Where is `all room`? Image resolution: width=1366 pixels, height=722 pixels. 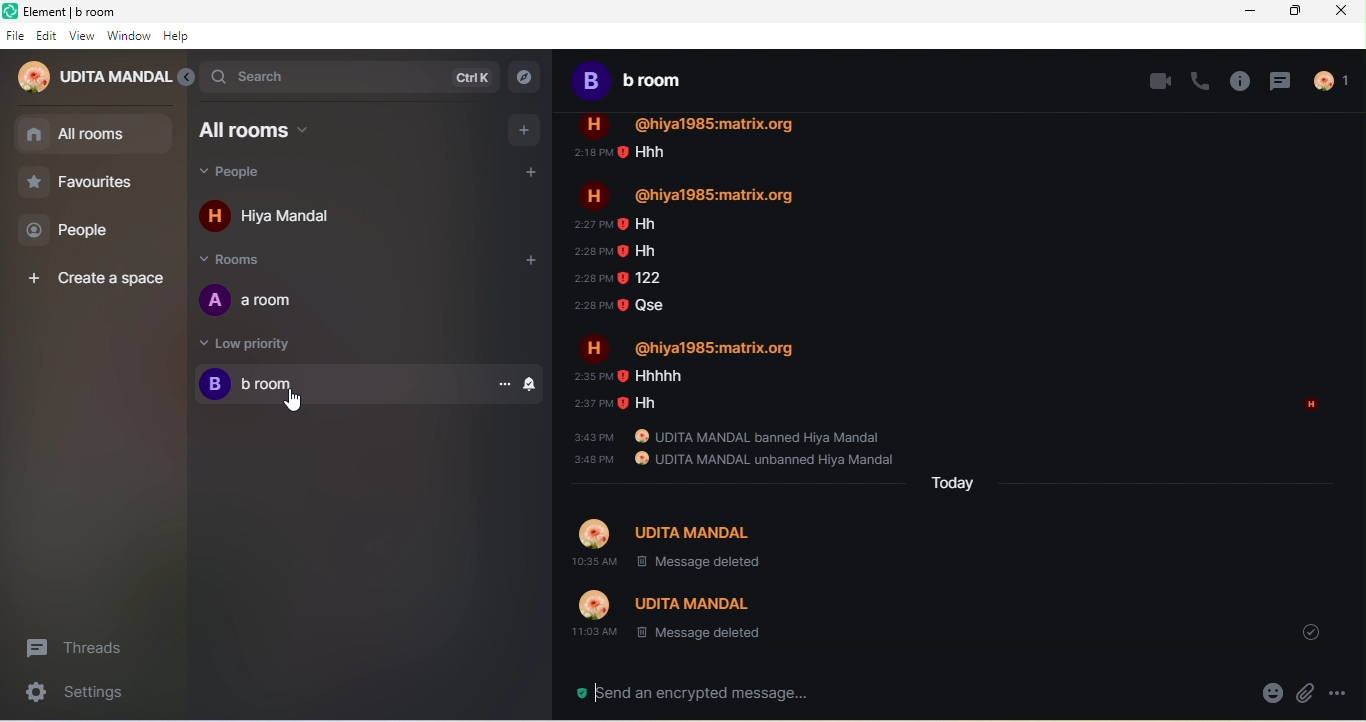
all room is located at coordinates (94, 135).